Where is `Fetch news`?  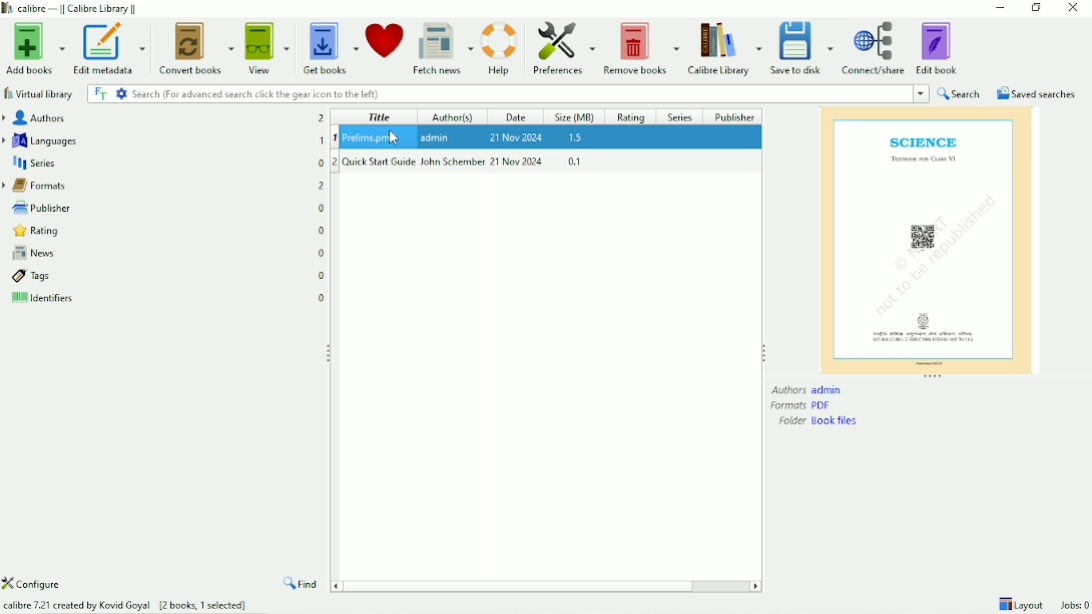 Fetch news is located at coordinates (442, 49).